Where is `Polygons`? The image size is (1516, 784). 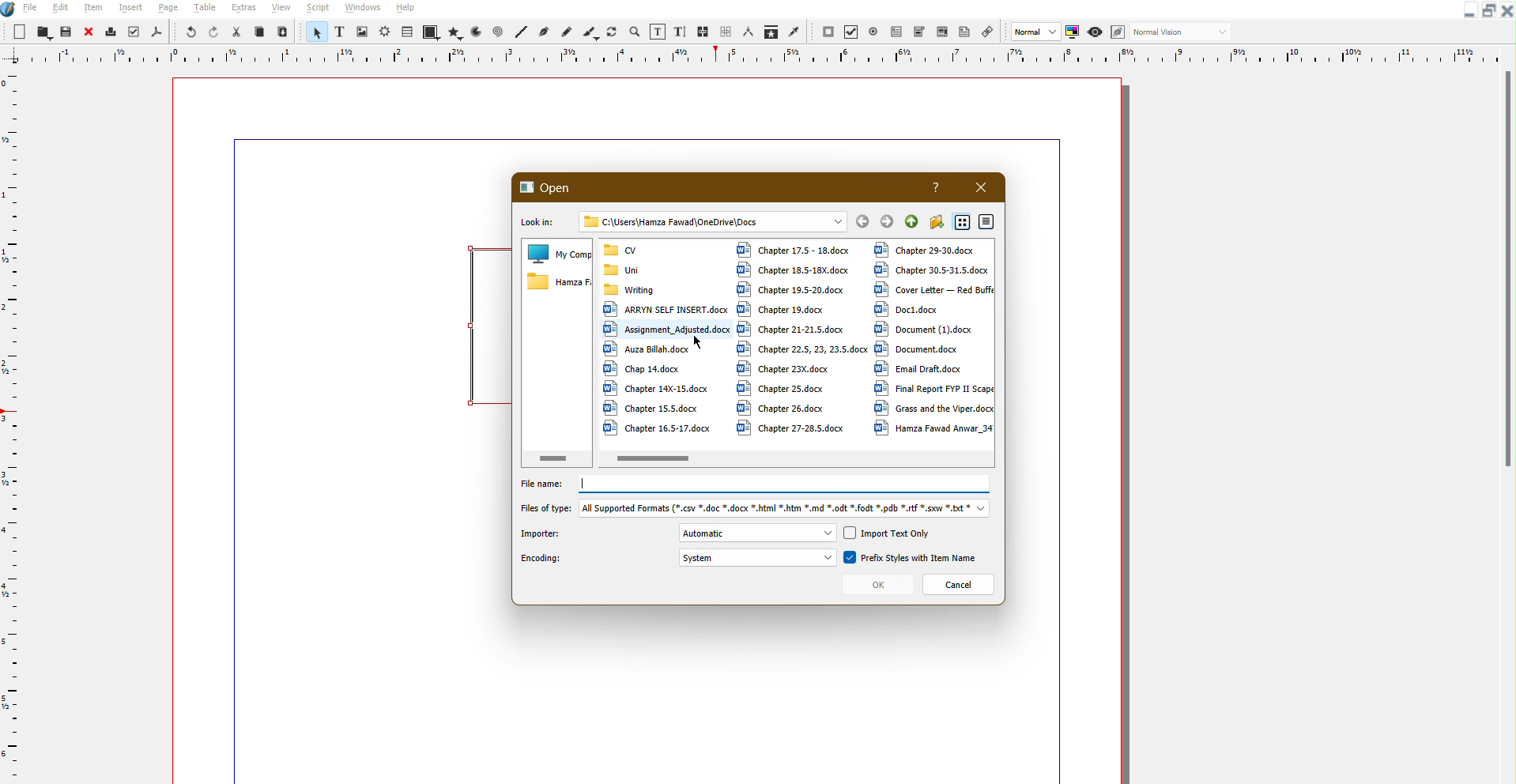
Polygons is located at coordinates (454, 32).